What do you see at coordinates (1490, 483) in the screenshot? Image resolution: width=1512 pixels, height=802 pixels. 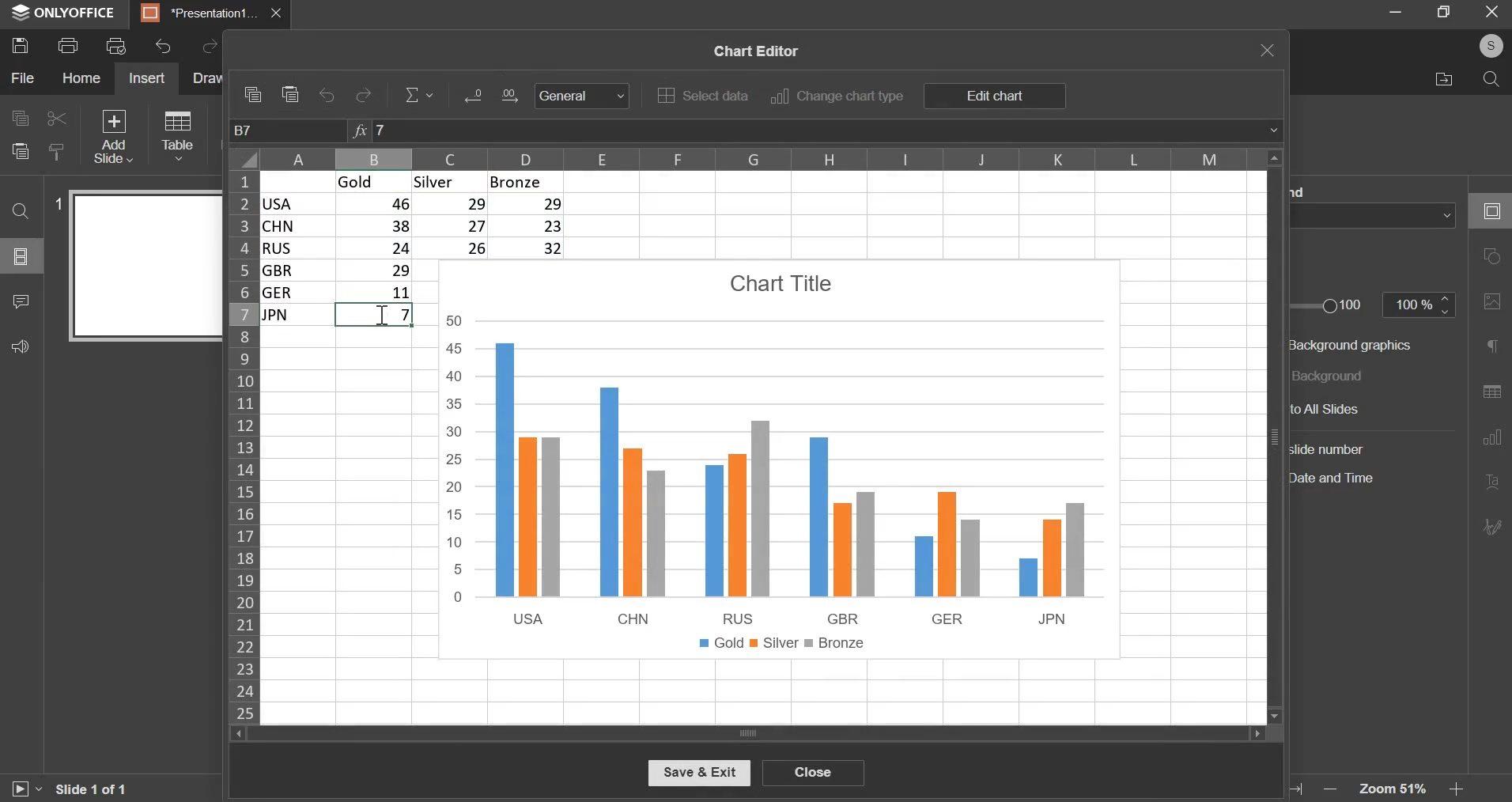 I see `text art settings` at bounding box center [1490, 483].